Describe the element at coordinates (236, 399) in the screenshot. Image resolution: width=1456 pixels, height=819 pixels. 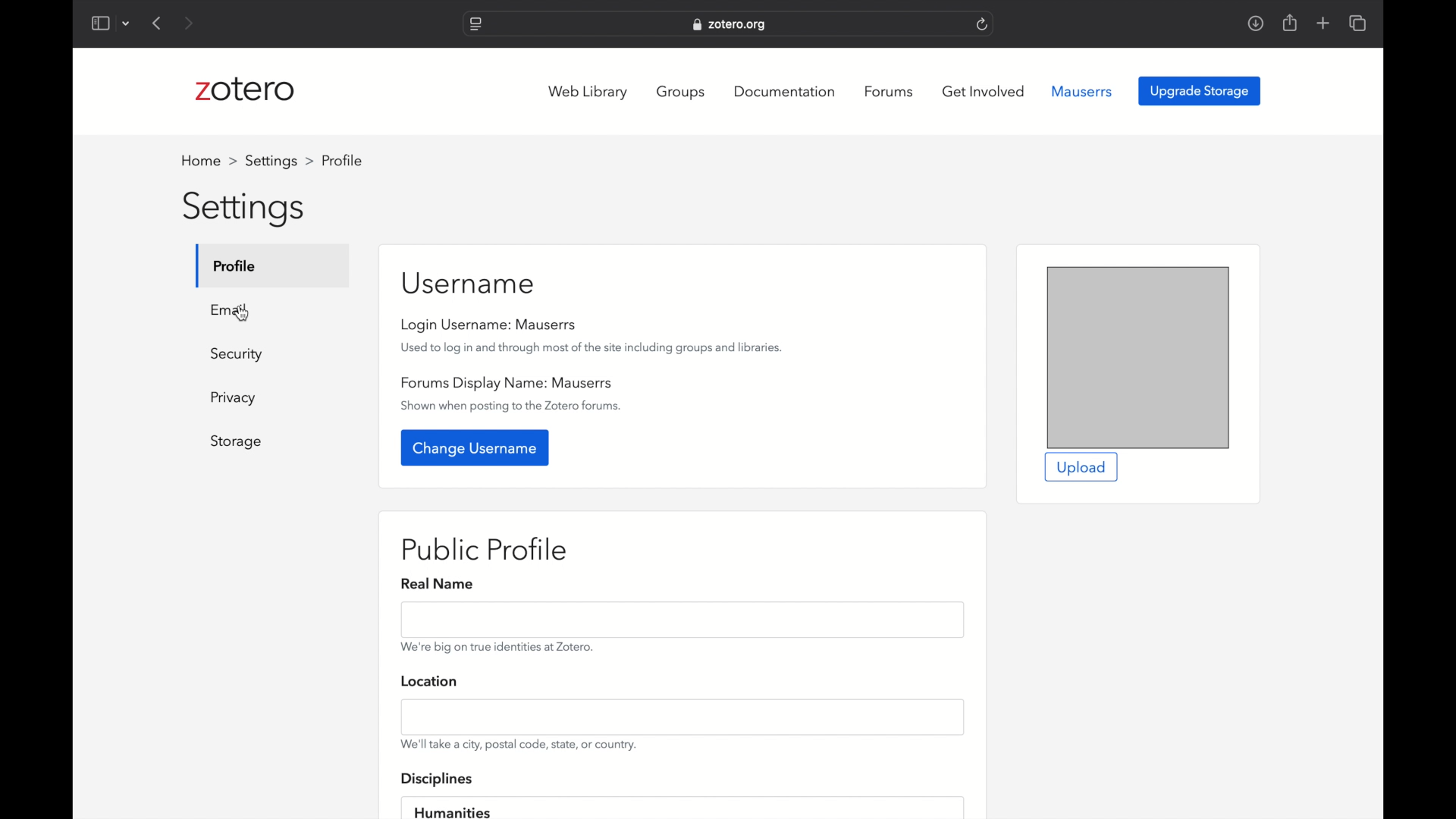
I see `privacy` at that location.